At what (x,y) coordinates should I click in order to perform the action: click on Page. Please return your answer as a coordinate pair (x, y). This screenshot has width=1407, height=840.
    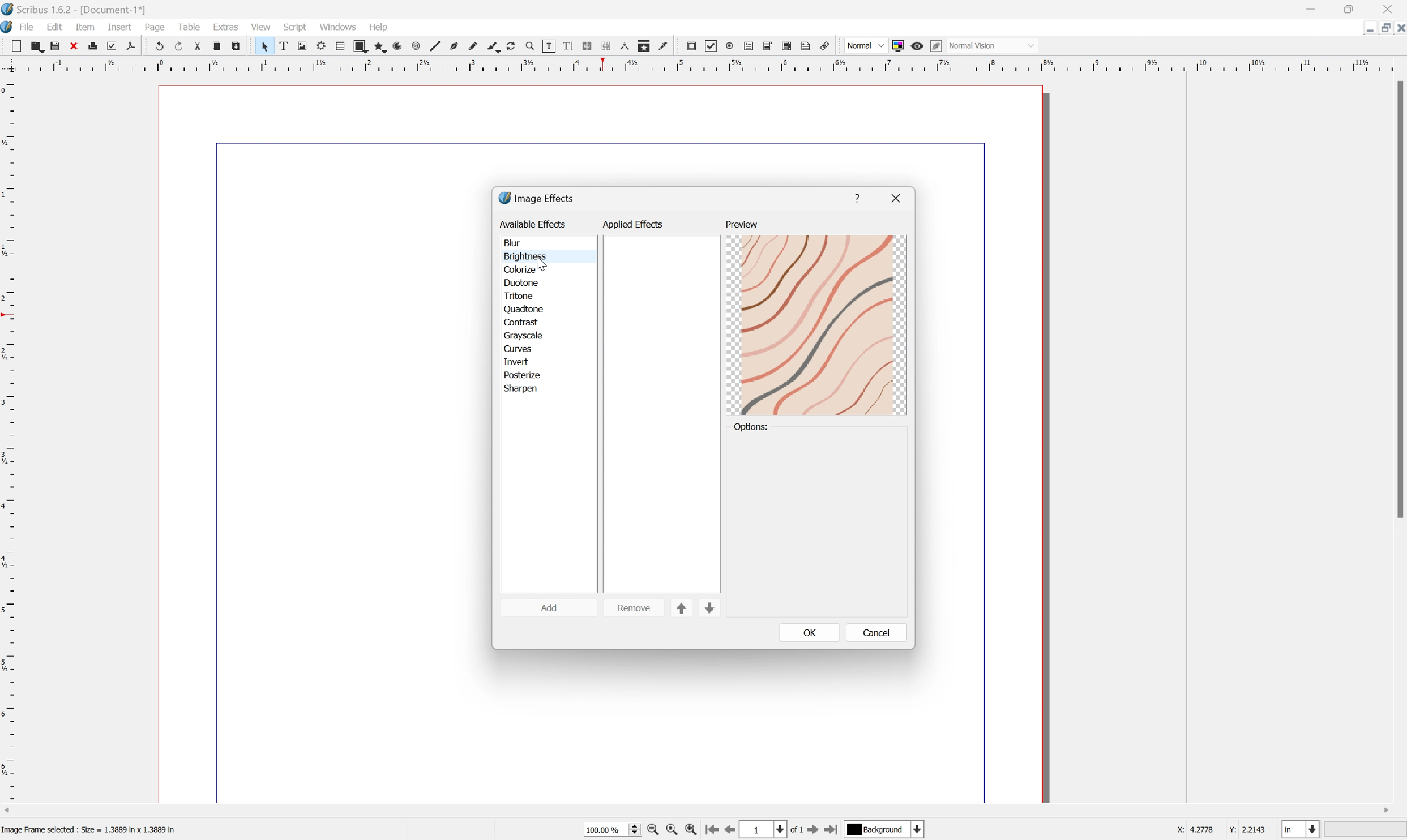
    Looking at the image, I should click on (155, 27).